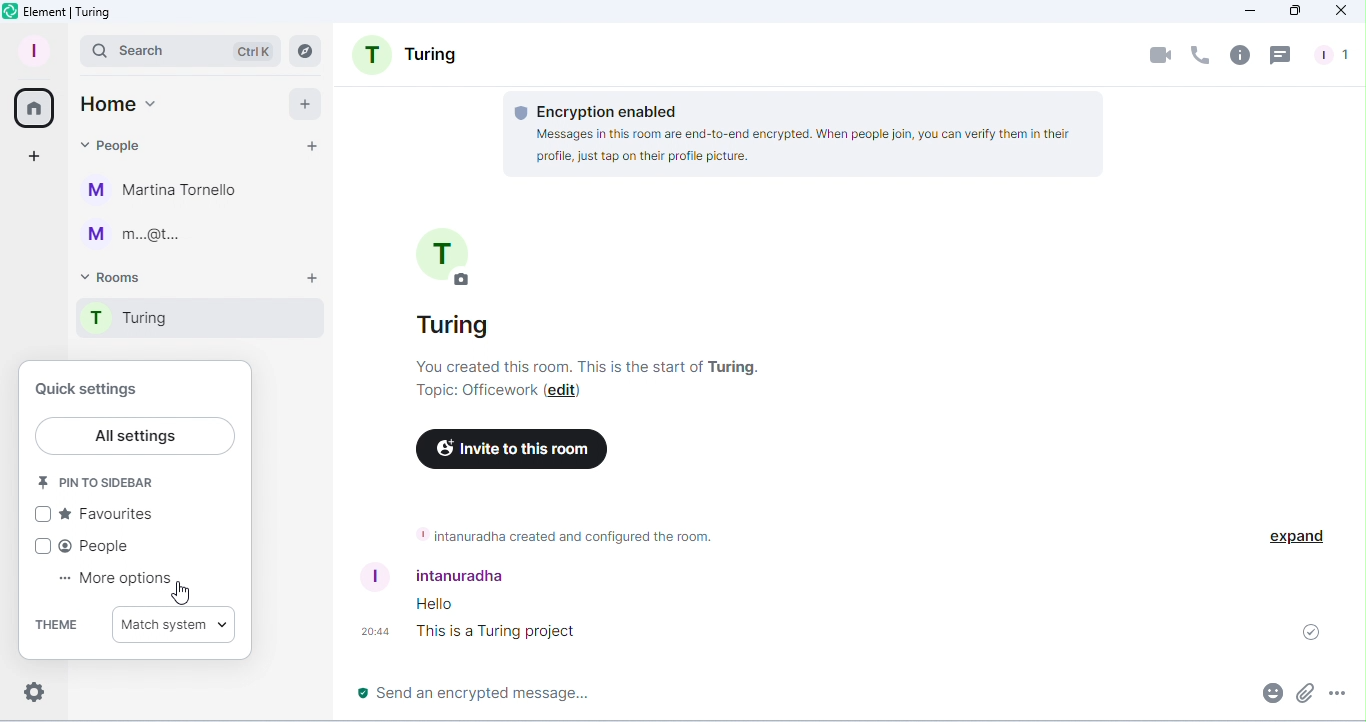  Describe the element at coordinates (566, 622) in the screenshot. I see `Message` at that location.